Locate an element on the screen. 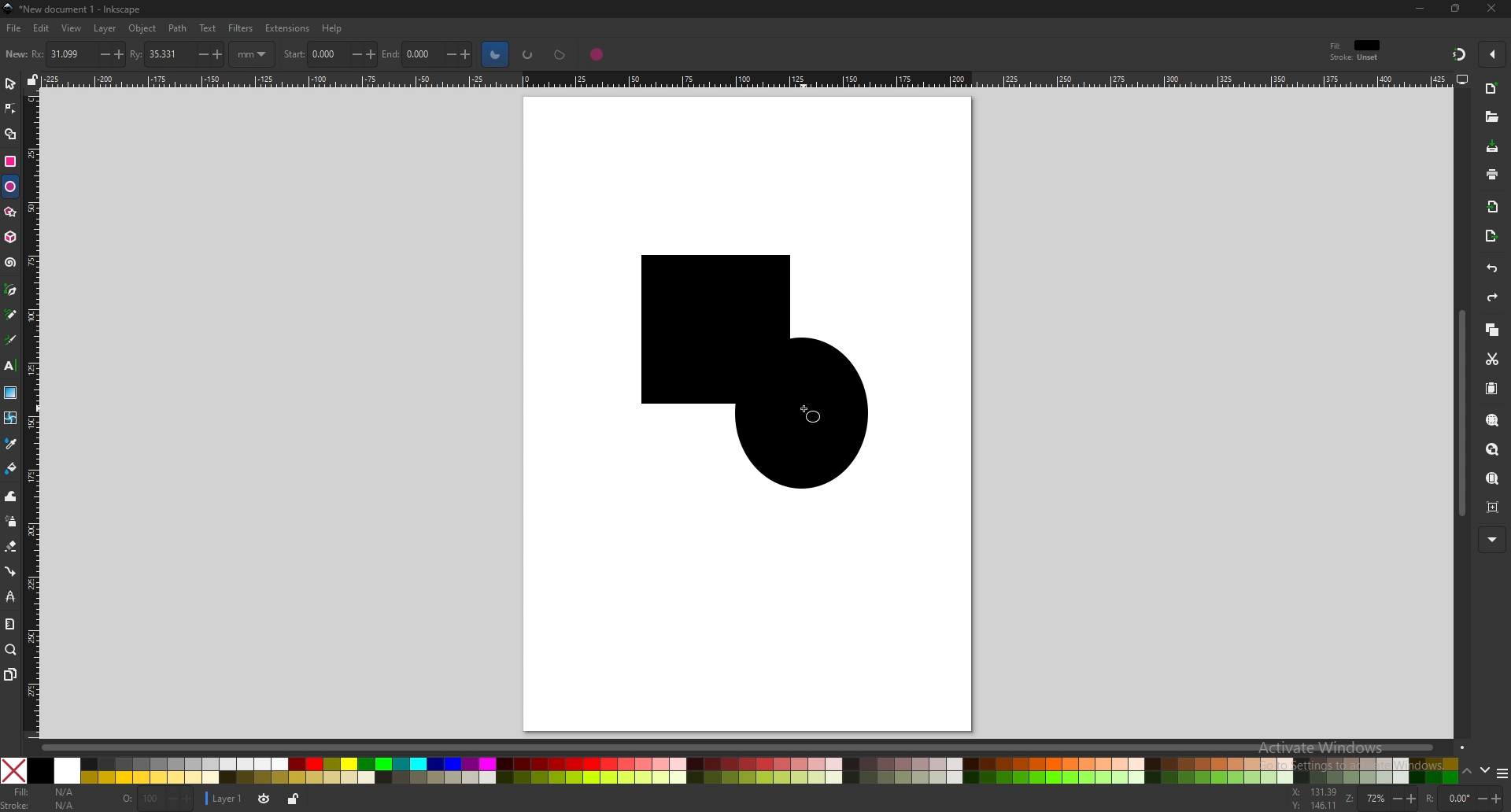 The height and width of the screenshot is (812, 1511). stroke is located at coordinates (42, 806).